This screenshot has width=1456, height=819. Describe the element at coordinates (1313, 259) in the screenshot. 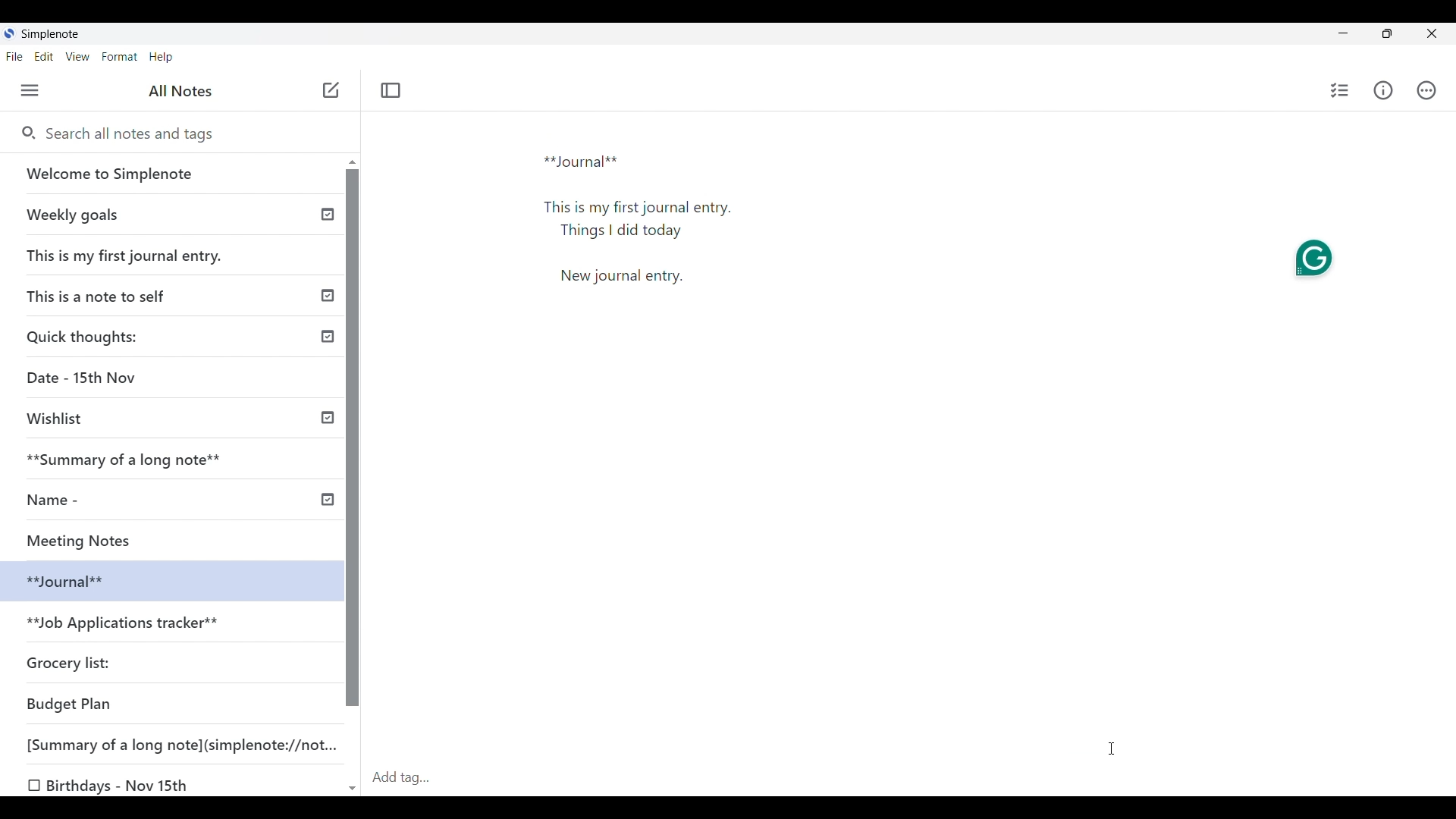

I see `Grammarly extension` at that location.